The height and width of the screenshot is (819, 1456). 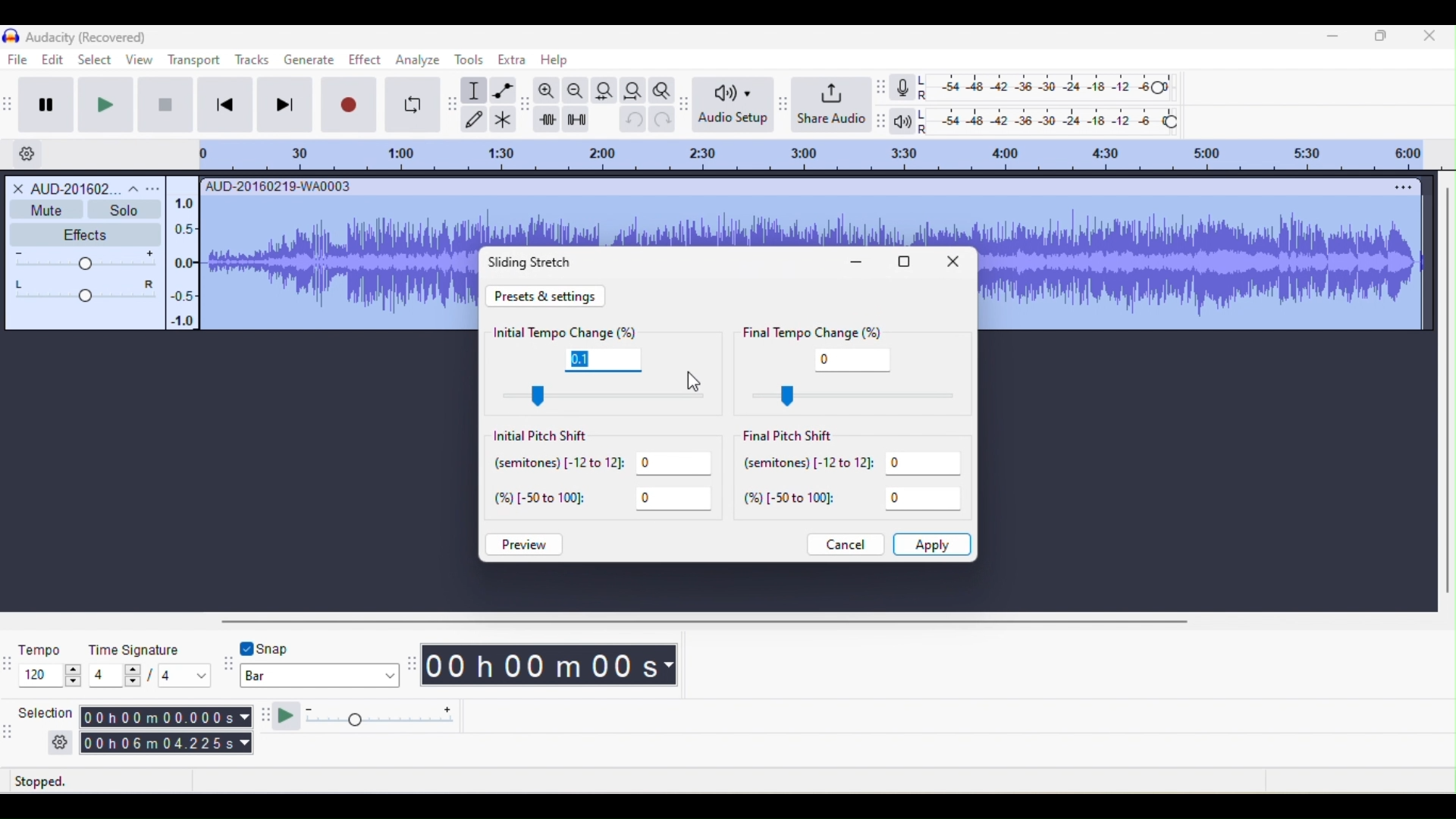 What do you see at coordinates (854, 467) in the screenshot?
I see `semitones` at bounding box center [854, 467].